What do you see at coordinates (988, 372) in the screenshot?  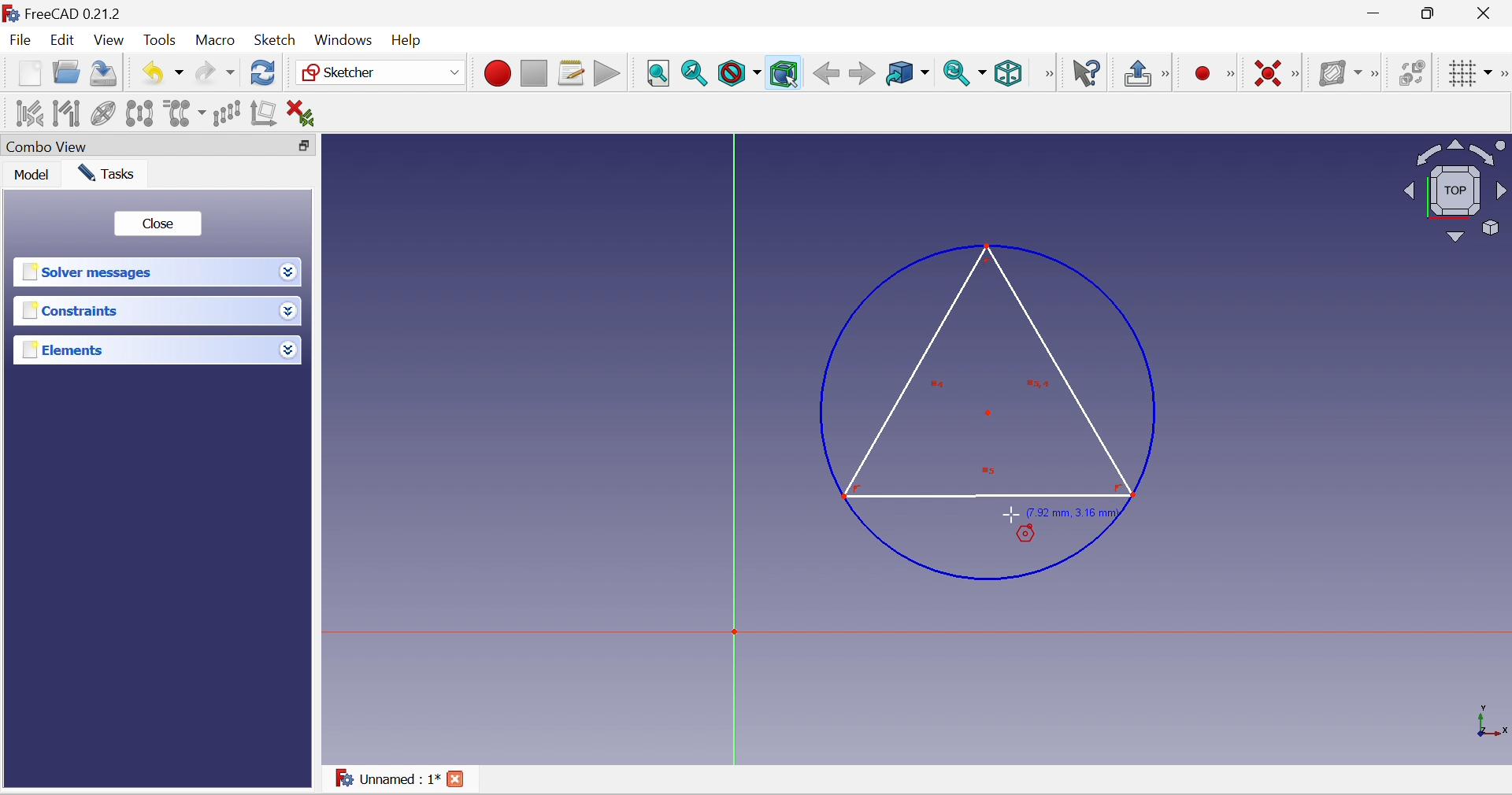 I see `Triangle` at bounding box center [988, 372].